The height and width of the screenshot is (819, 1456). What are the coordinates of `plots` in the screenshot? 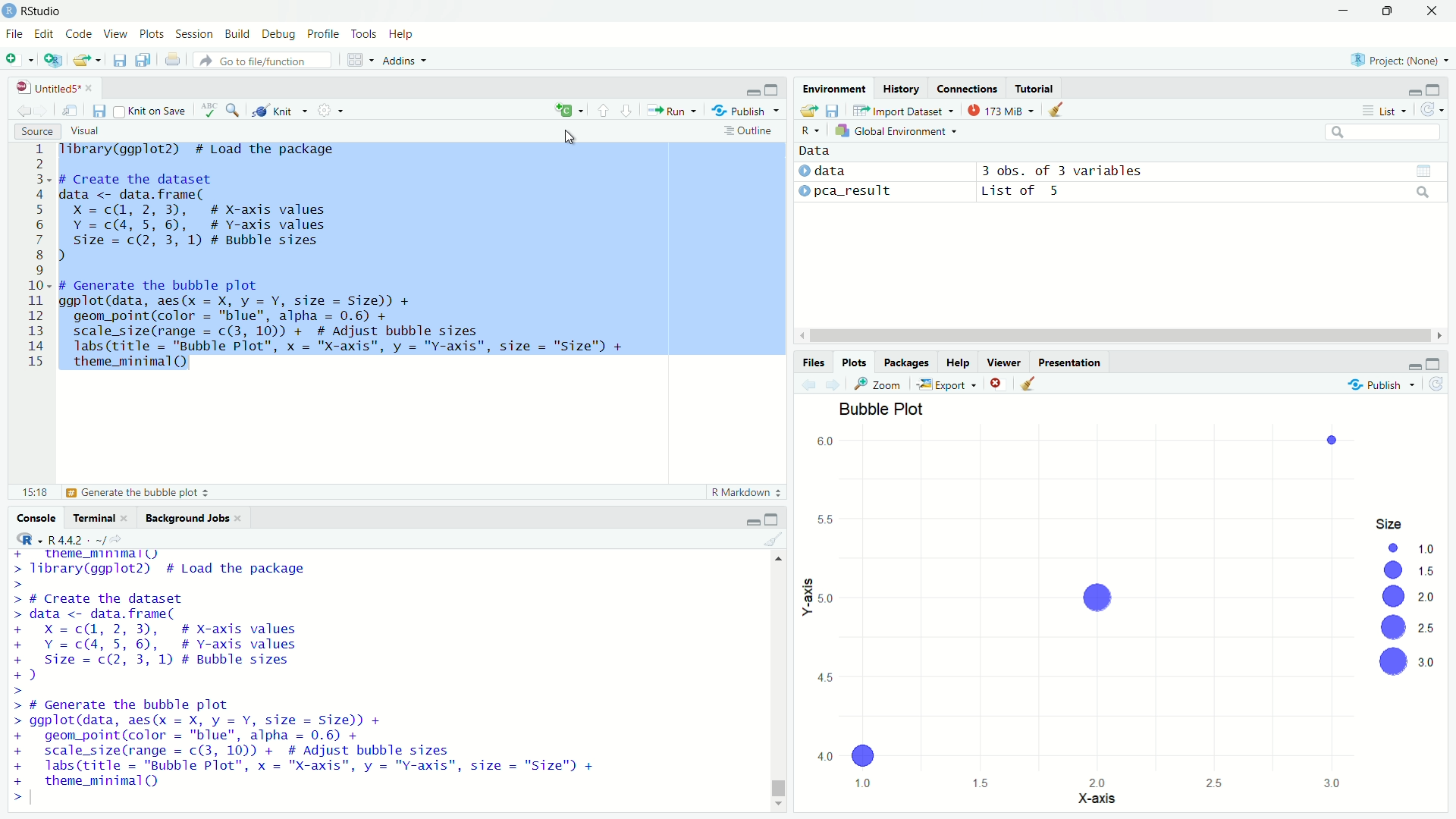 It's located at (856, 362).